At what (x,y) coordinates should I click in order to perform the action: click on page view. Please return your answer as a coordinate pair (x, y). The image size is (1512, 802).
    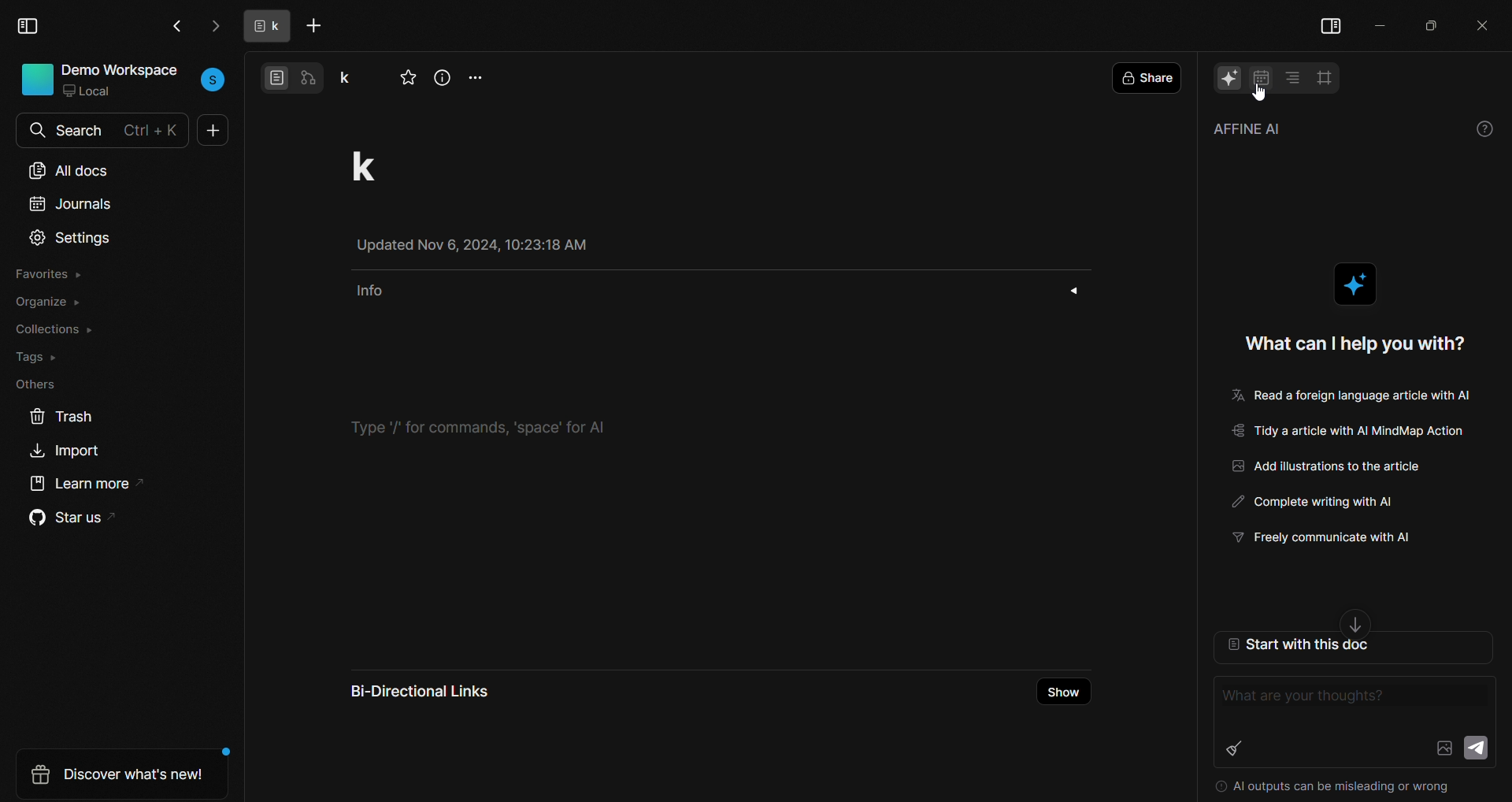
    Looking at the image, I should click on (276, 76).